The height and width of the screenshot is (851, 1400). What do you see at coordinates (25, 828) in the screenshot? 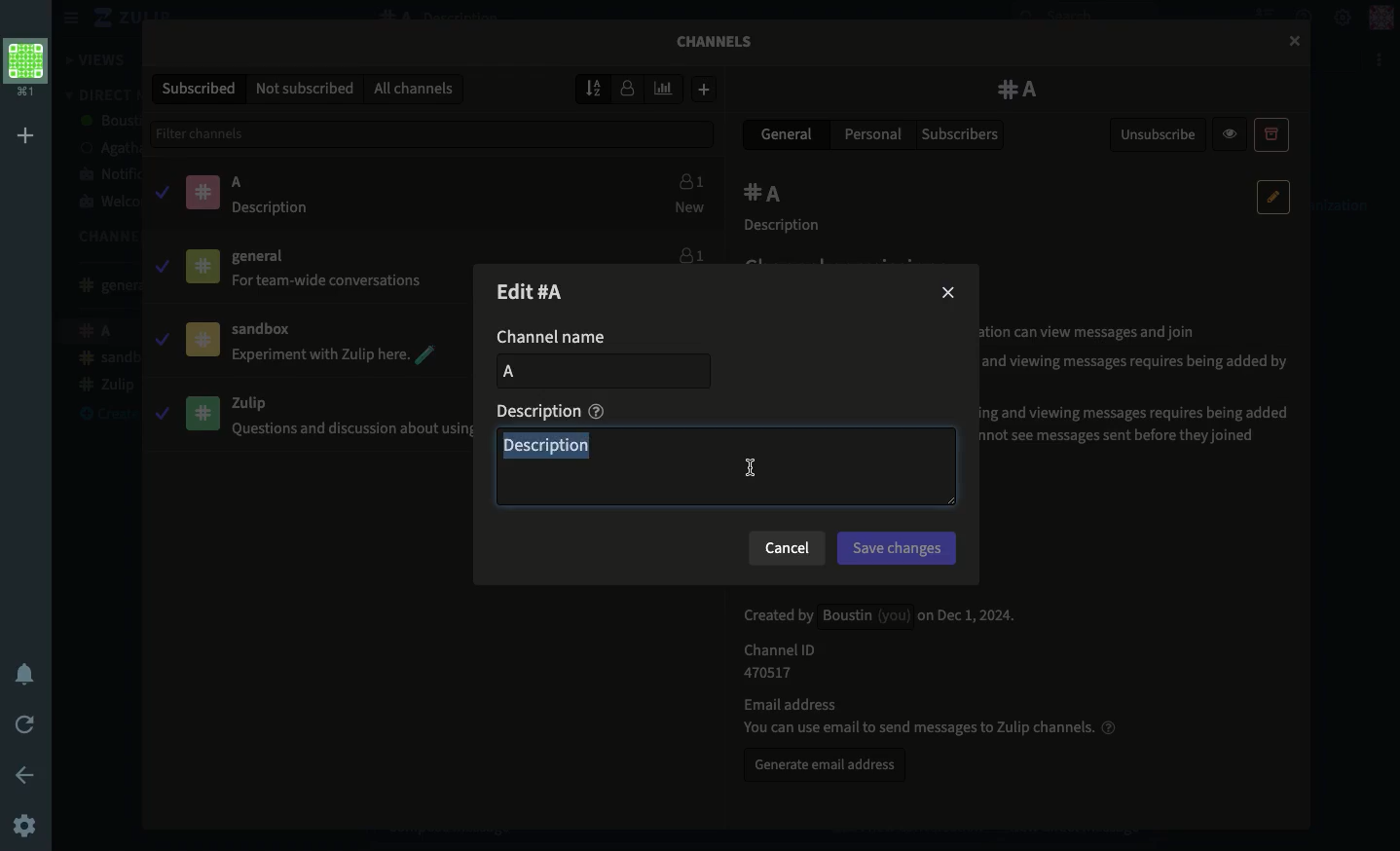
I see `Settings` at bounding box center [25, 828].